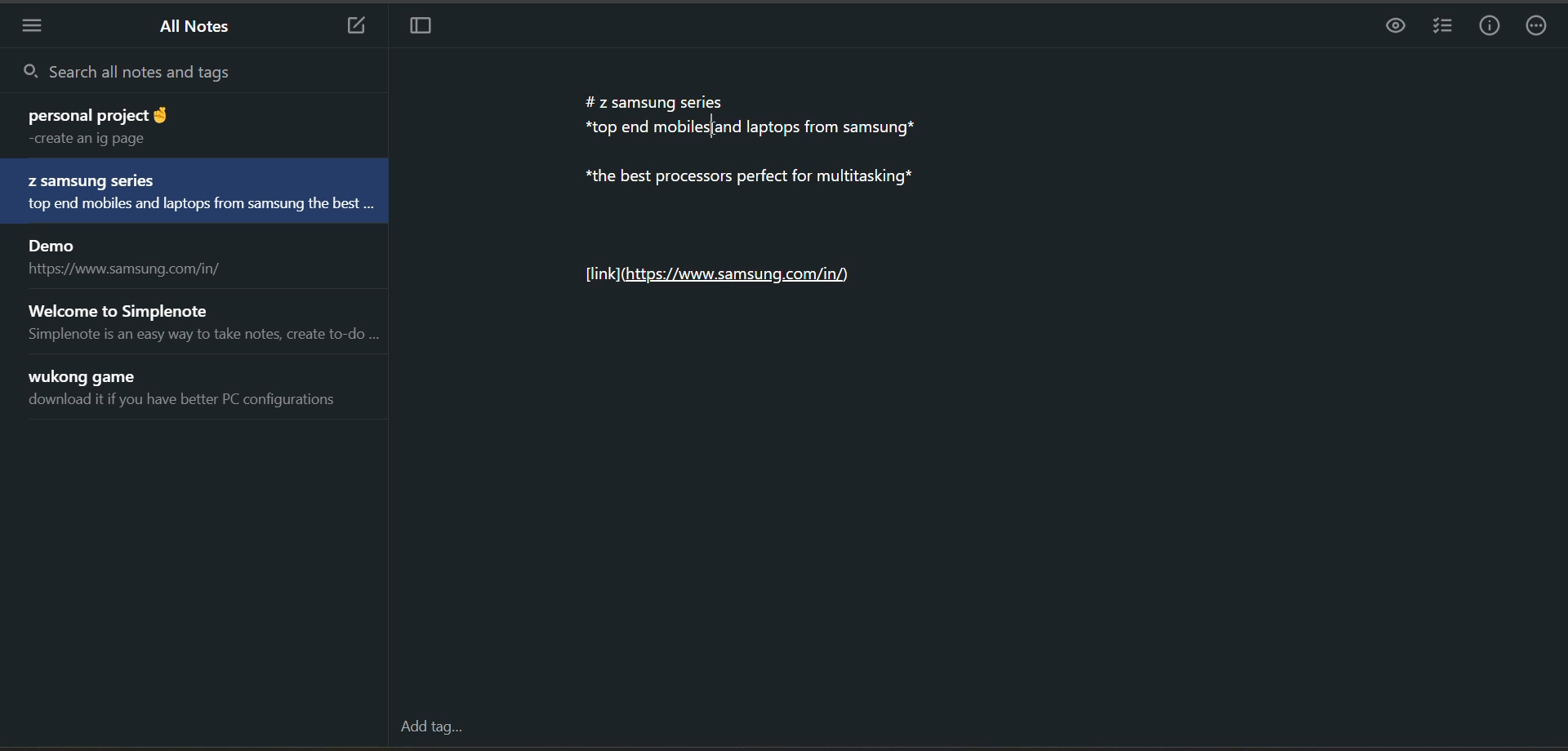 The height and width of the screenshot is (751, 1568). Describe the element at coordinates (130, 259) in the screenshot. I see `note title and preview` at that location.